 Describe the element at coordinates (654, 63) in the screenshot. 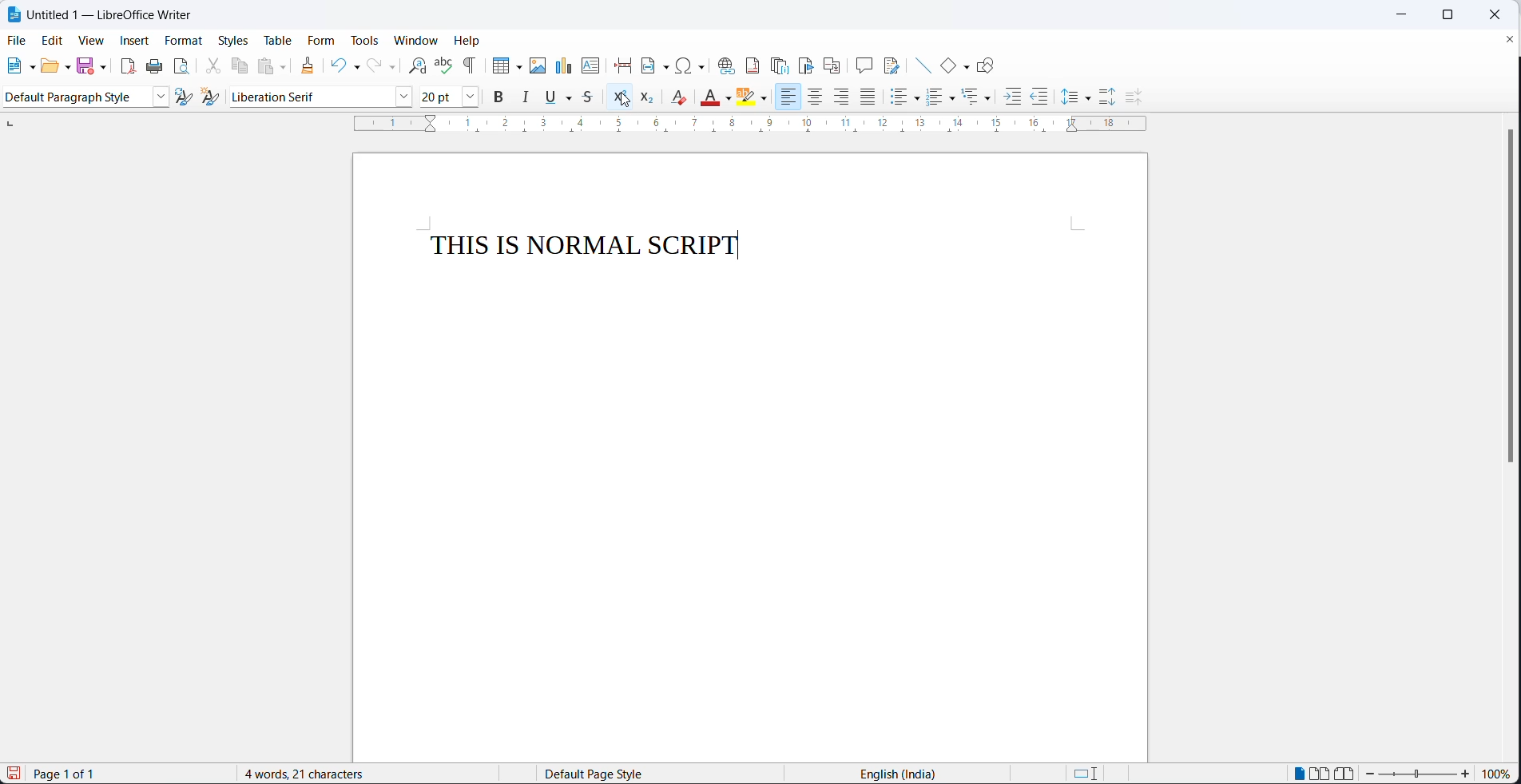

I see `insert fields` at that location.